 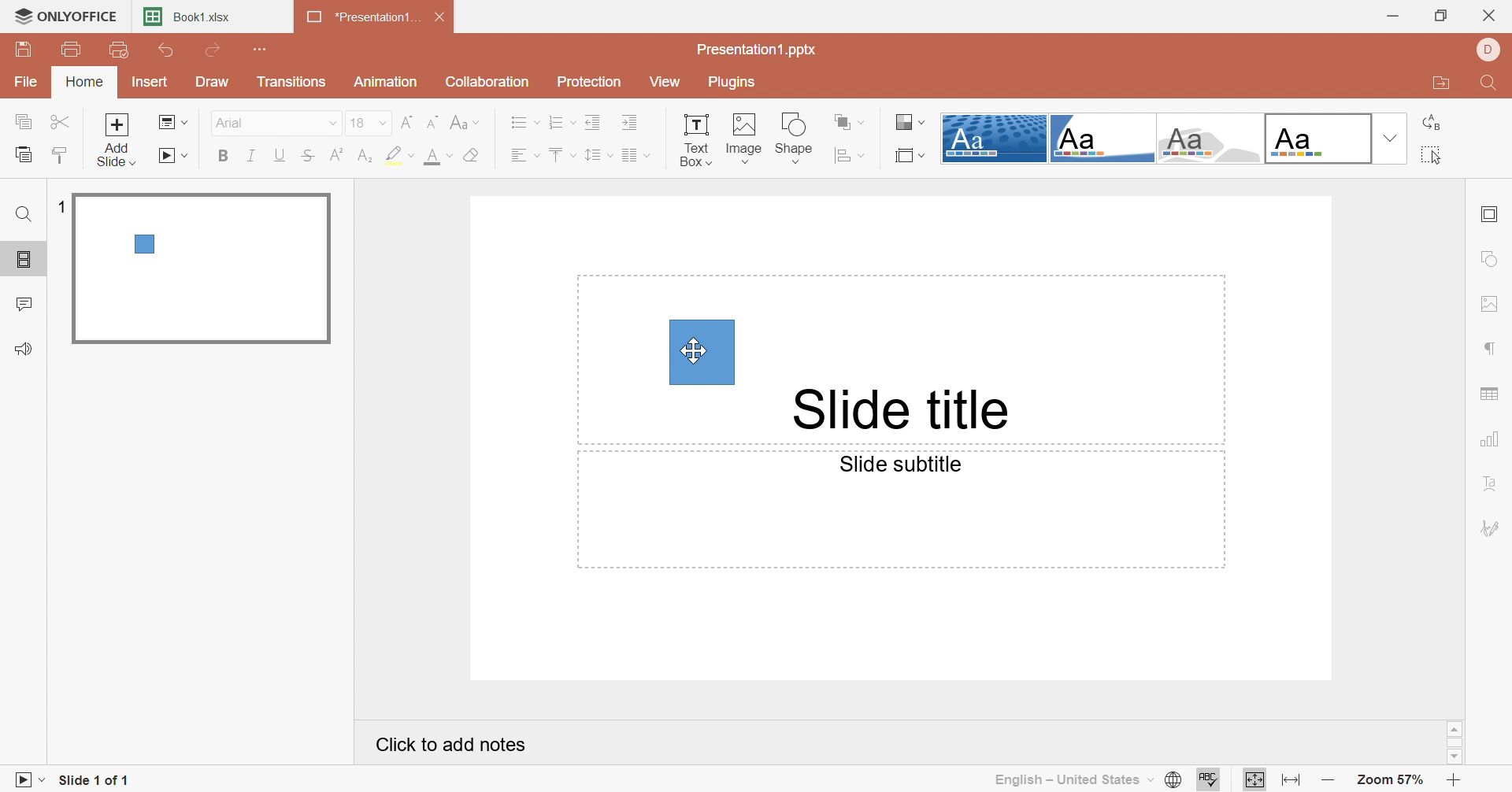 I want to click on Start slideshow, so click(x=25, y=779).